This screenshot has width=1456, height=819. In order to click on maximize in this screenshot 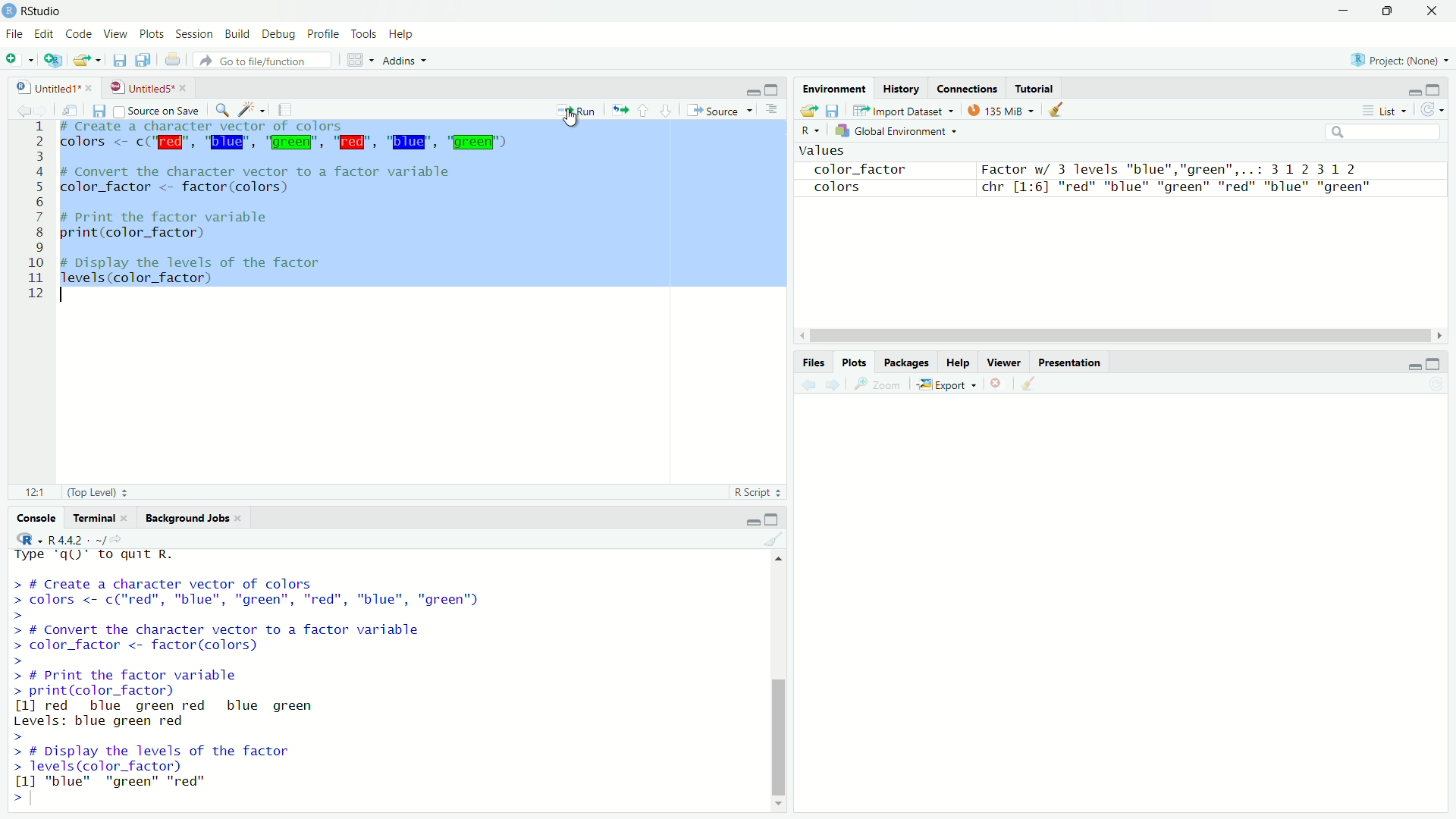, I will do `click(773, 89)`.